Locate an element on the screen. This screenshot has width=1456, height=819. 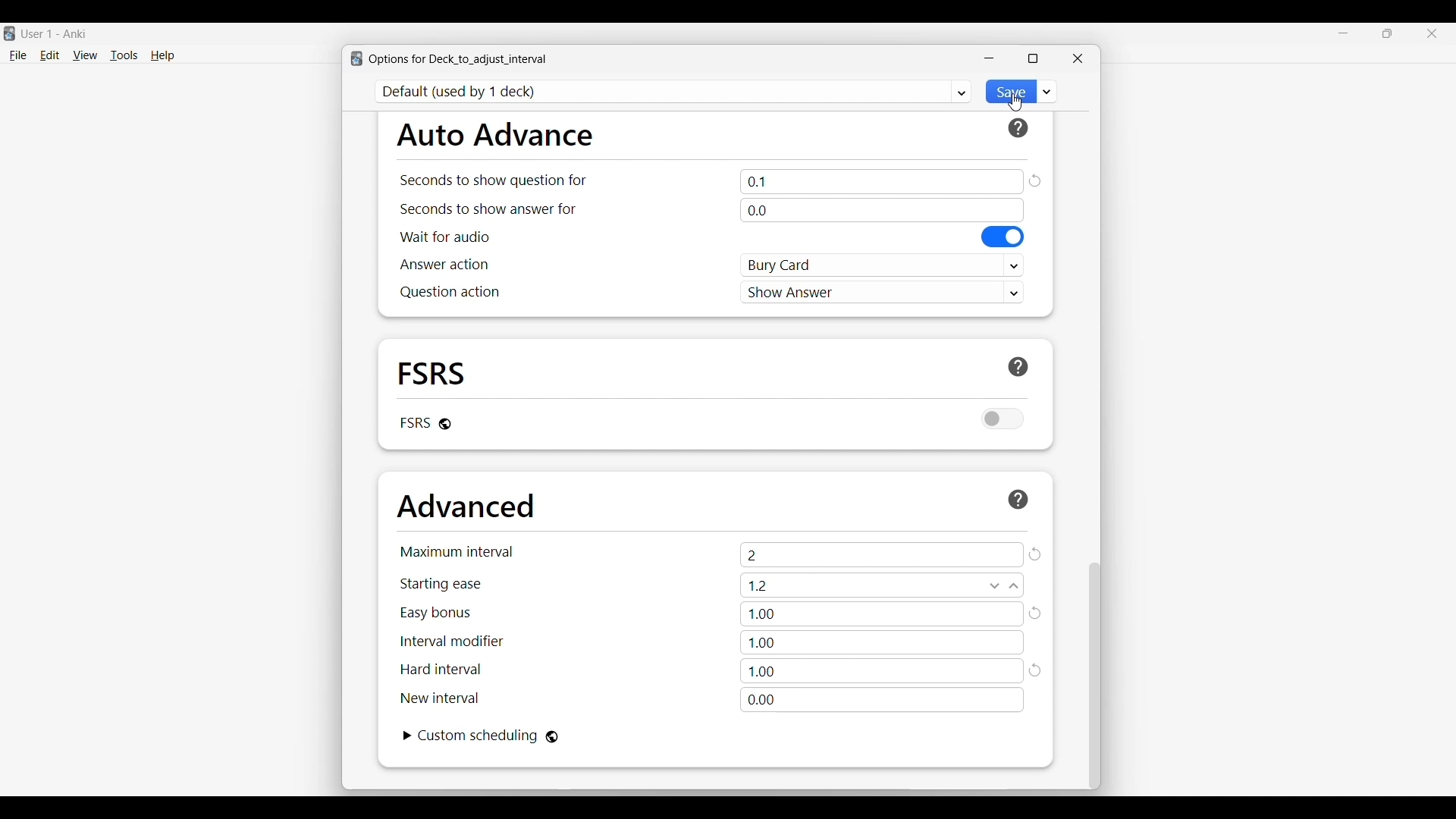
Indicates question action is located at coordinates (450, 292).